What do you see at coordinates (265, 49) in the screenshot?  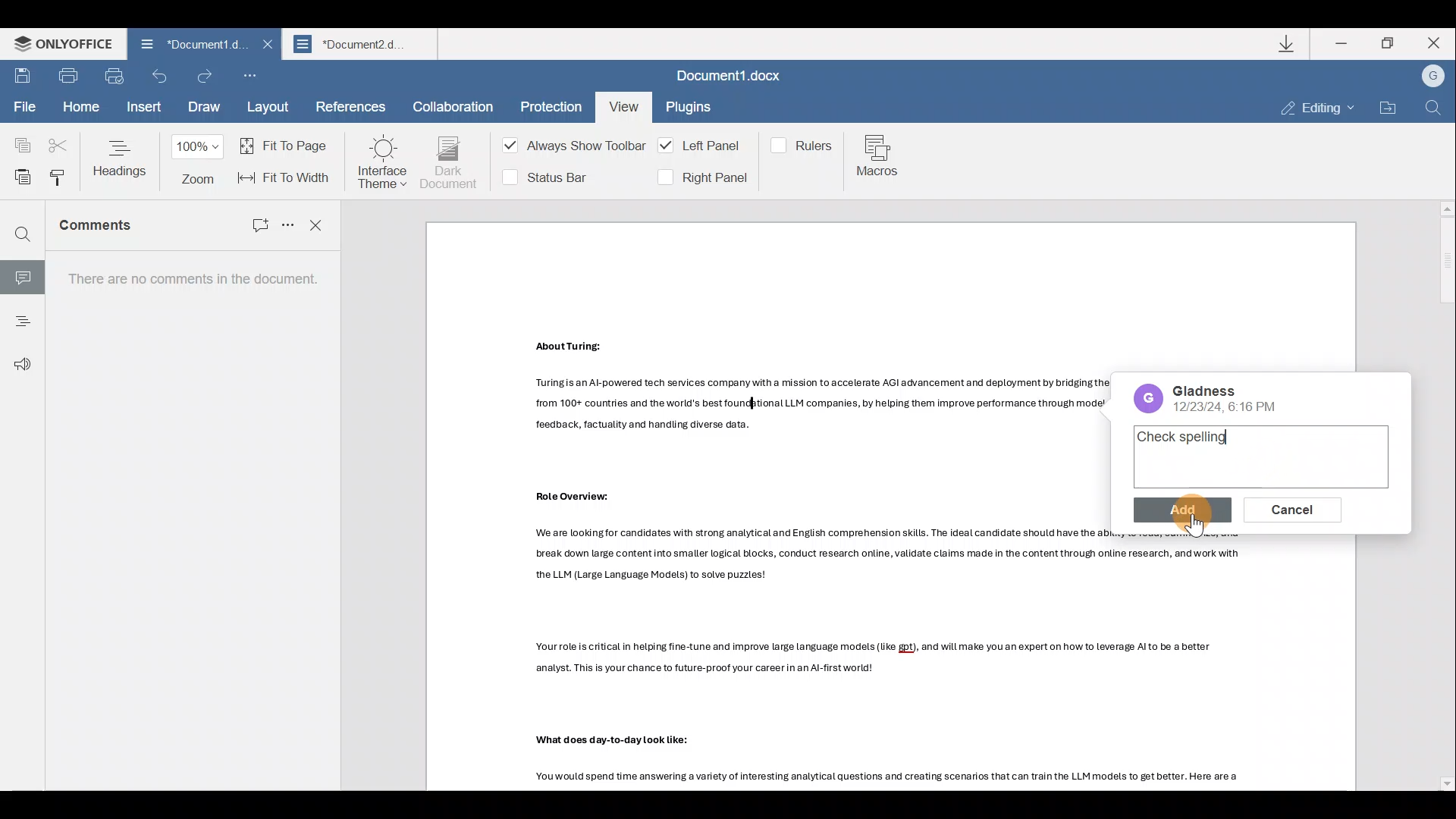 I see `Close` at bounding box center [265, 49].